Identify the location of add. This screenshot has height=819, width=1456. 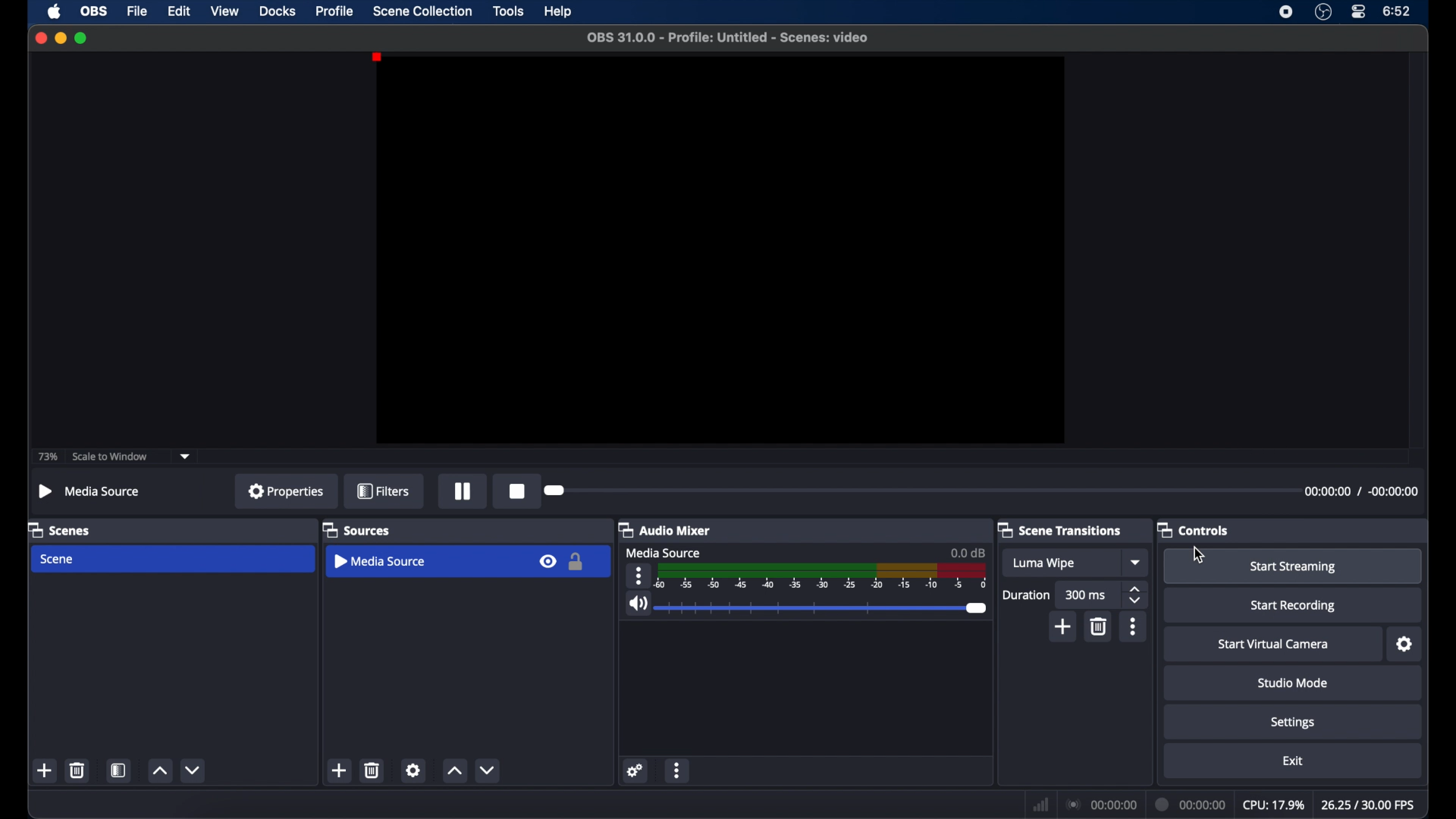
(340, 770).